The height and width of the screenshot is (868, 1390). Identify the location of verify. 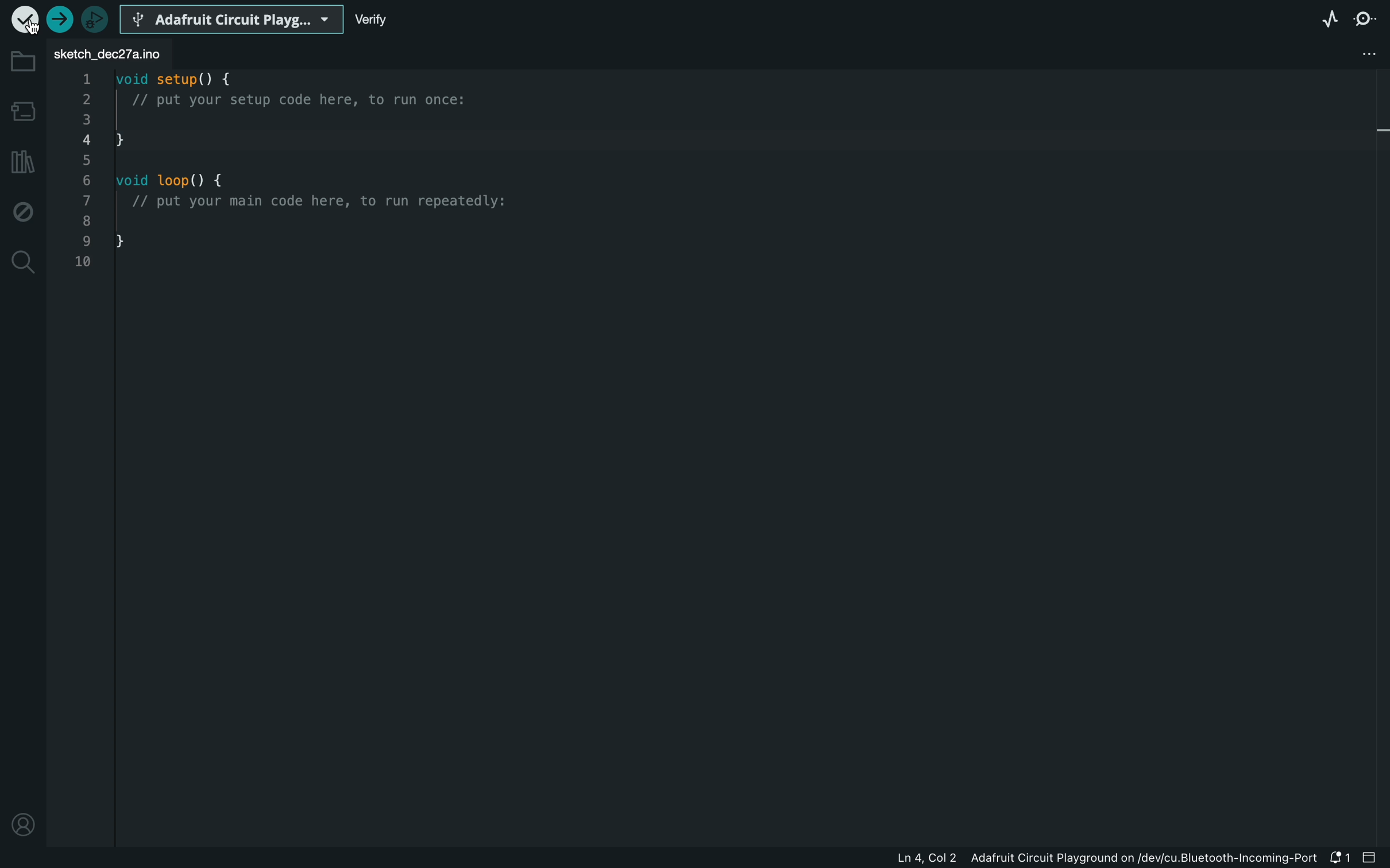
(379, 19).